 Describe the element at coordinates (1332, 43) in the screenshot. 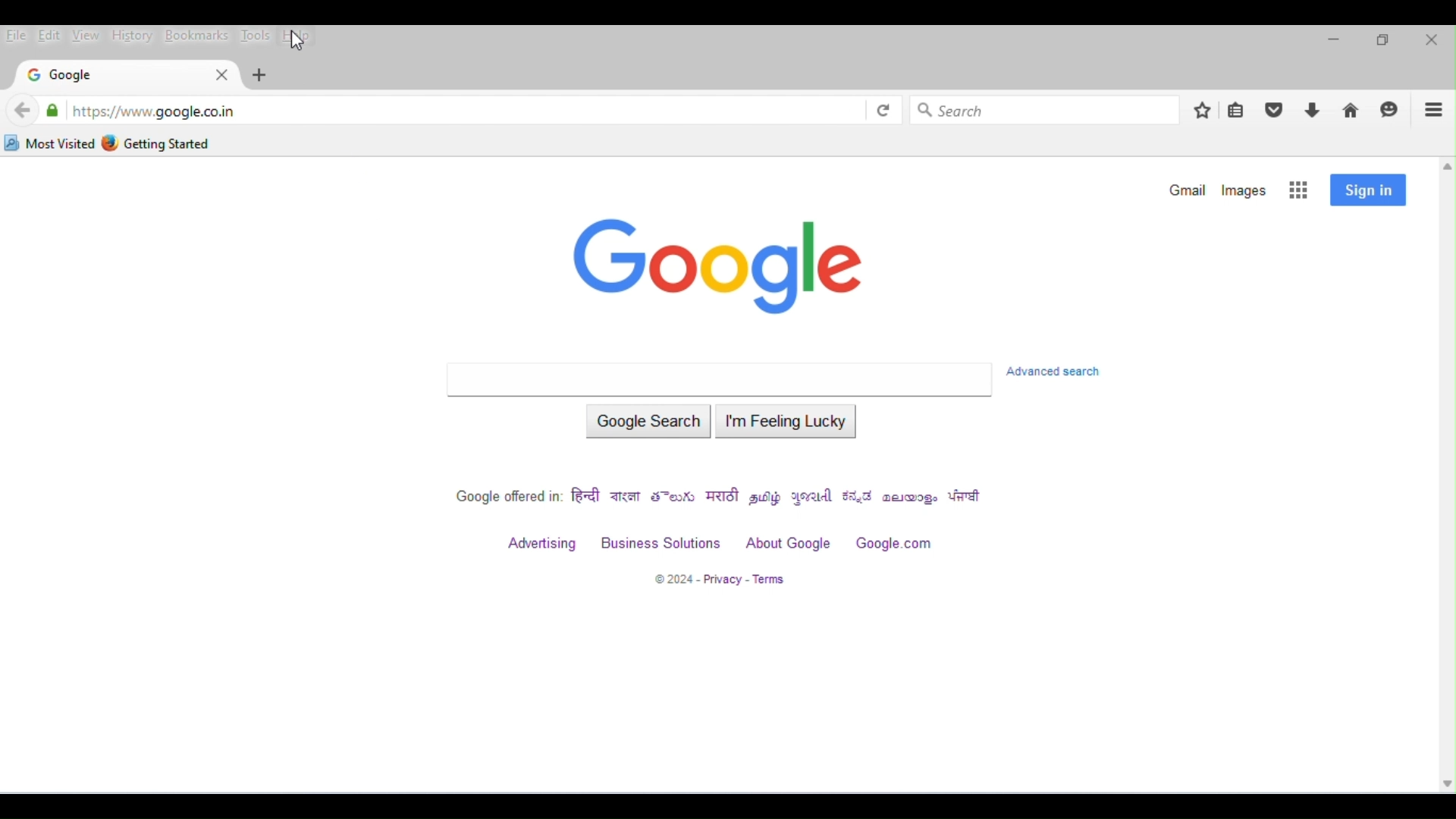

I see `minimize` at that location.